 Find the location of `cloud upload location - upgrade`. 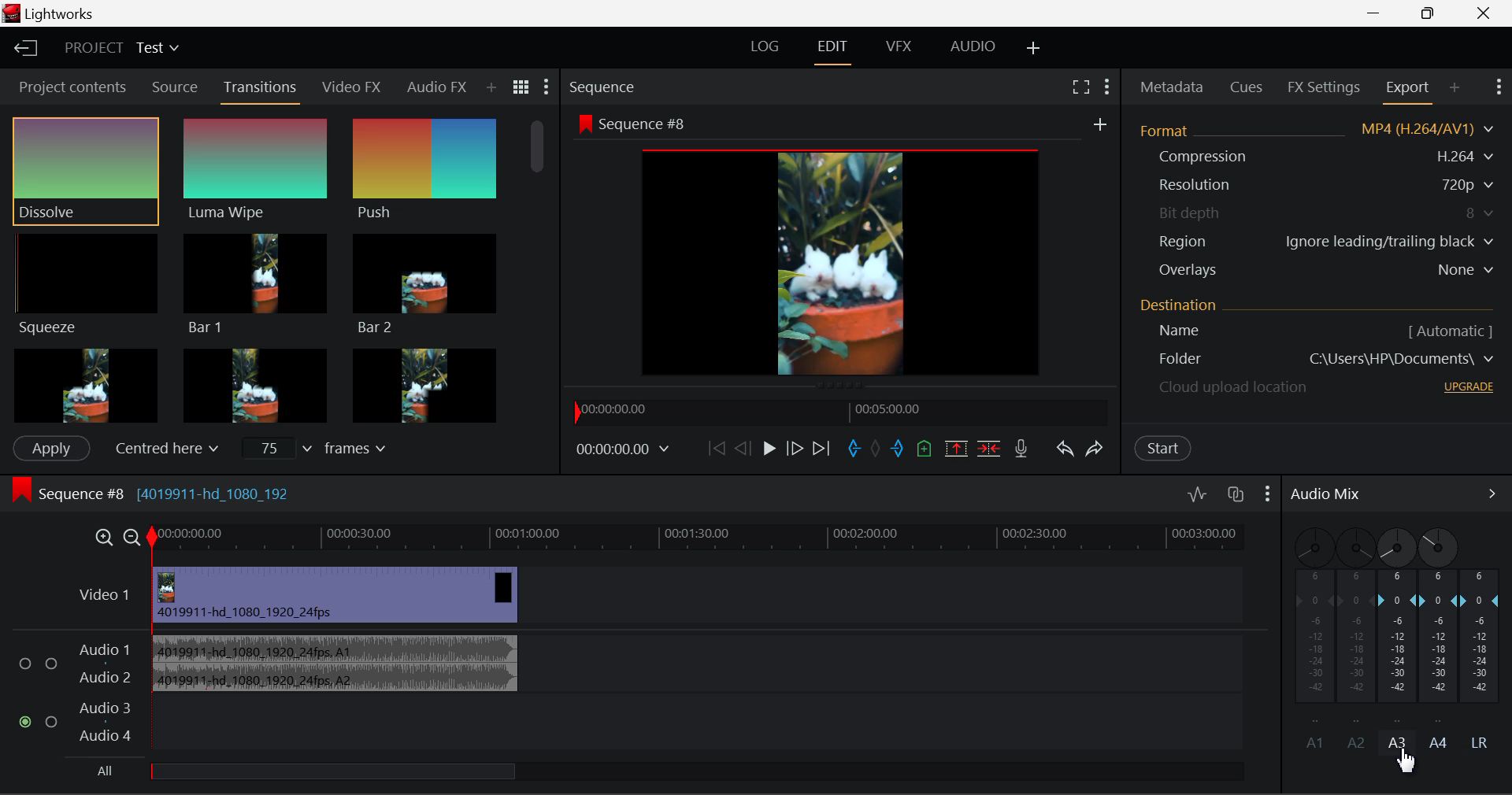

cloud upload location - upgrade is located at coordinates (1315, 386).